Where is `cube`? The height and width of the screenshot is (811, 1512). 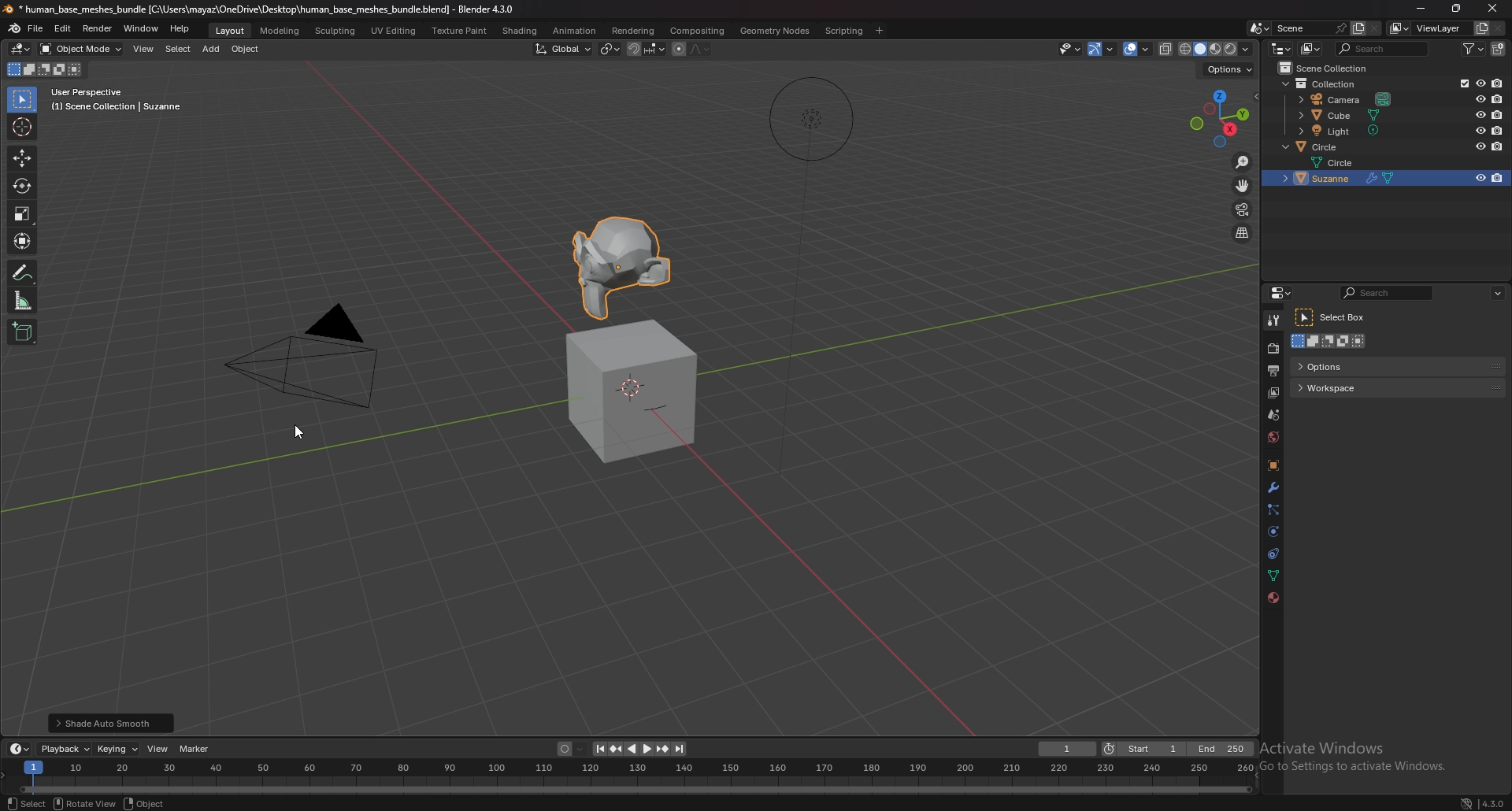
cube is located at coordinates (1340, 115).